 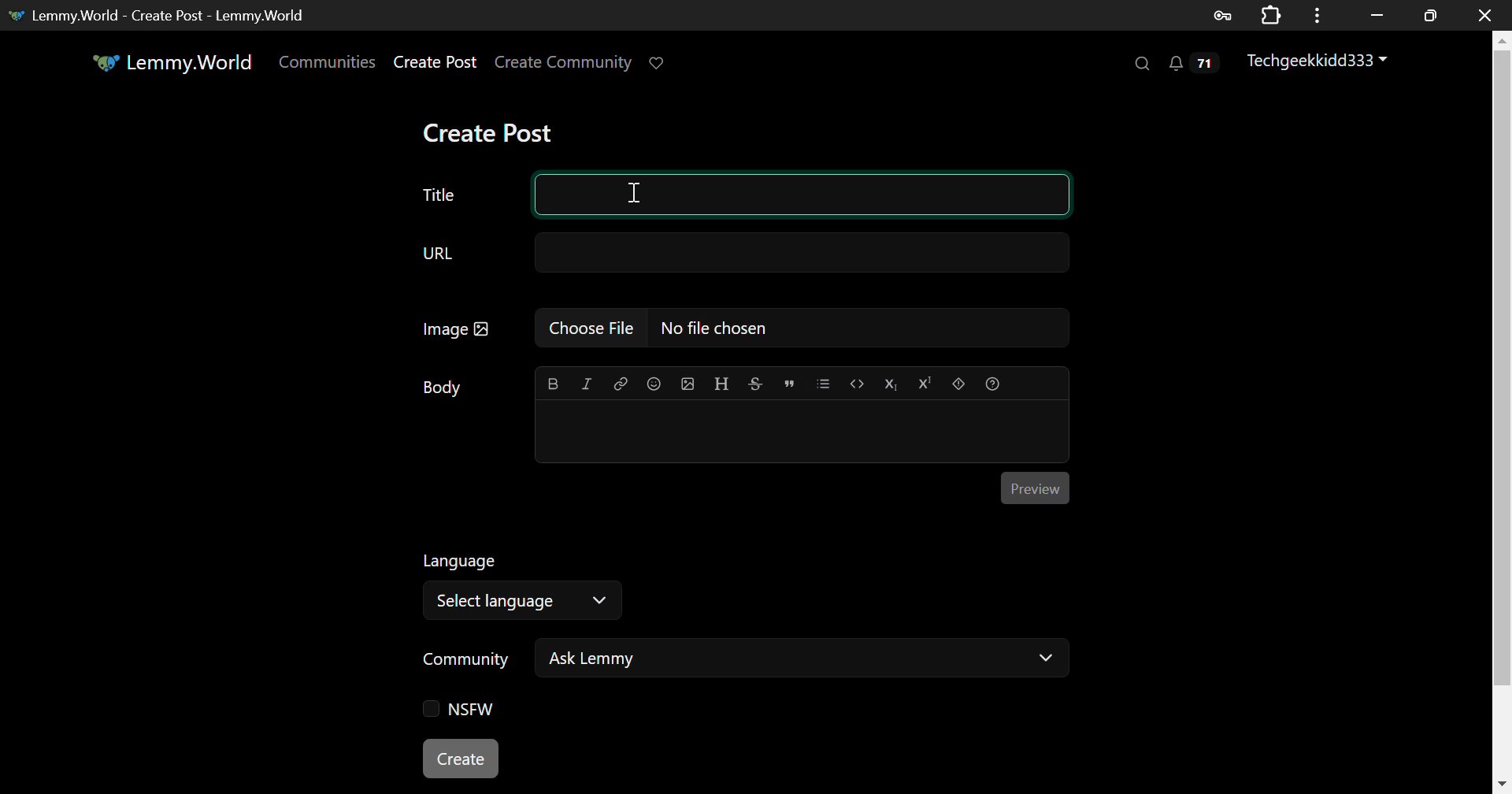 What do you see at coordinates (487, 132) in the screenshot?
I see `Create Post` at bounding box center [487, 132].